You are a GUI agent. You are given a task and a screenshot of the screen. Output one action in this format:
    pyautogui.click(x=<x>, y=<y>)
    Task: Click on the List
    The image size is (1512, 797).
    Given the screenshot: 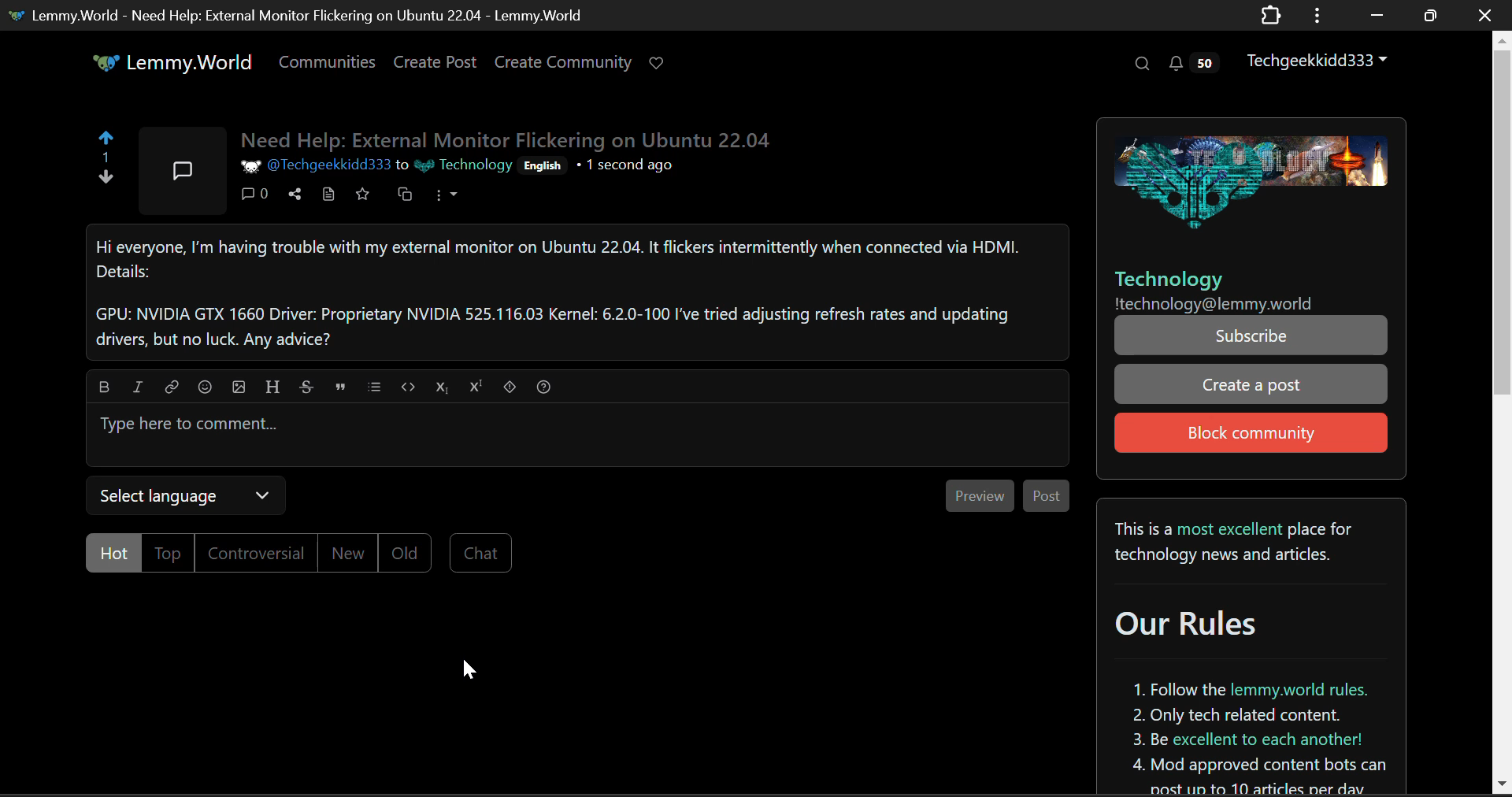 What is the action you would take?
    pyautogui.click(x=373, y=385)
    